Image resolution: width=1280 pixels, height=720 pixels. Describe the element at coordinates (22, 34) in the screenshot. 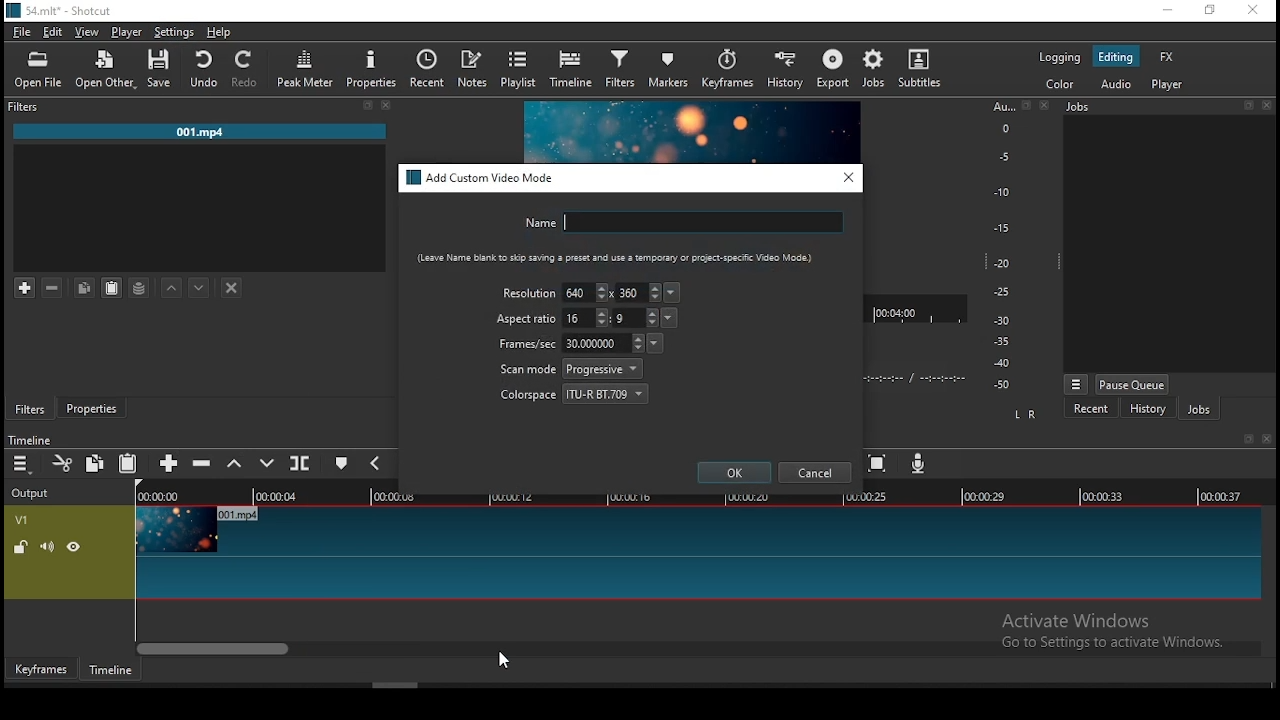

I see `file` at that location.